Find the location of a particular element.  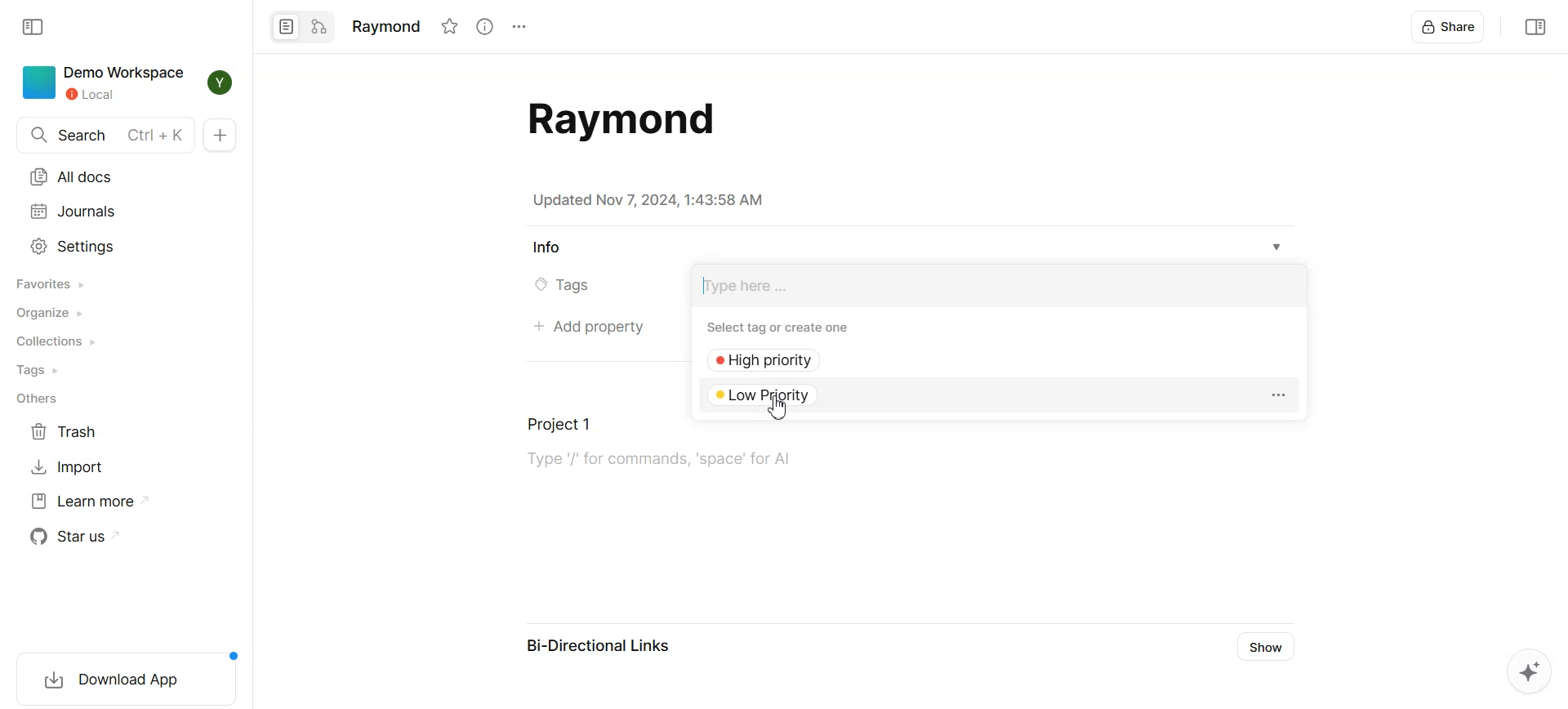

Trash is located at coordinates (68, 432).